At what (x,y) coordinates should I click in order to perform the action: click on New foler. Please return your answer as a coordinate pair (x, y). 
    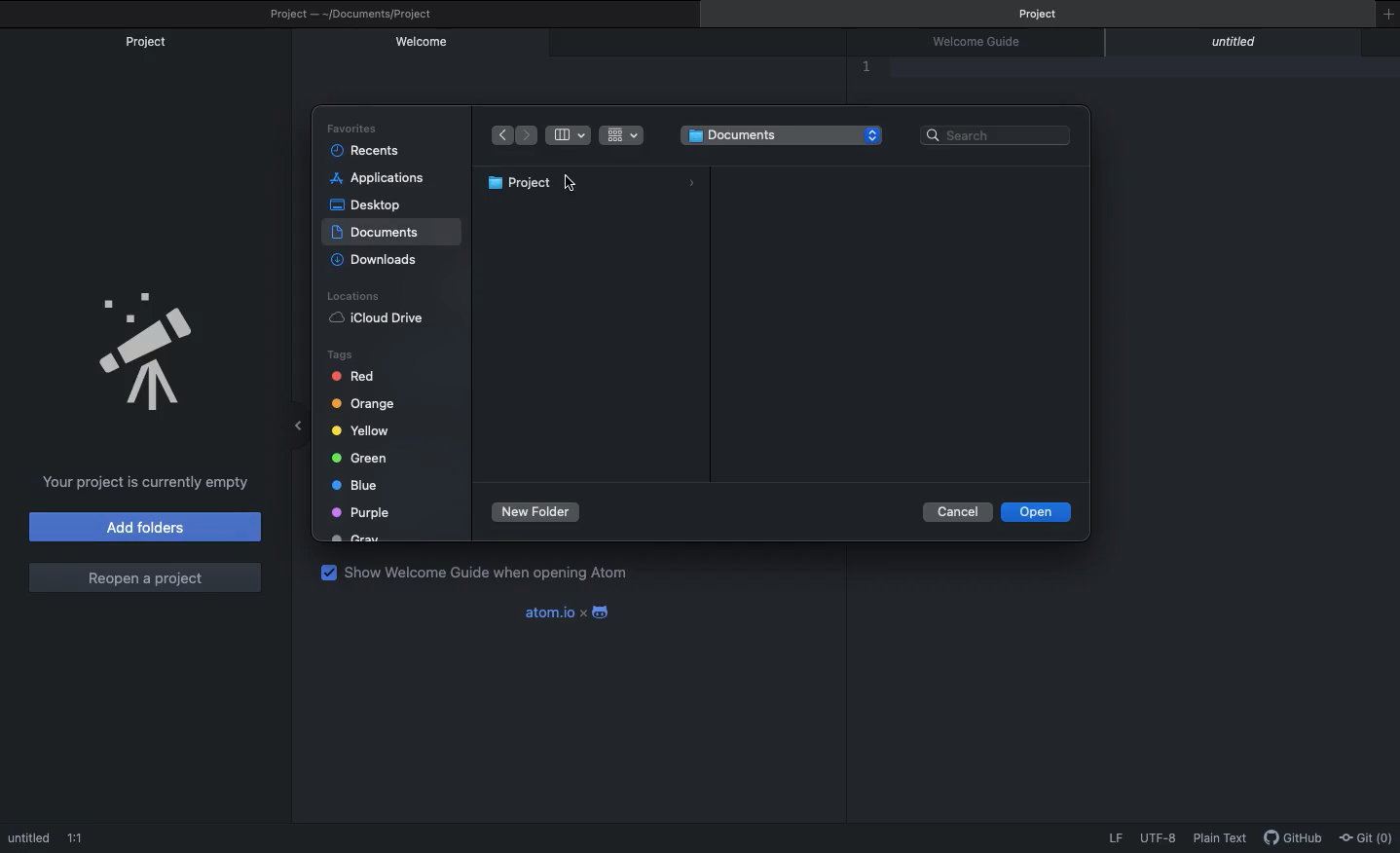
    Looking at the image, I should click on (537, 511).